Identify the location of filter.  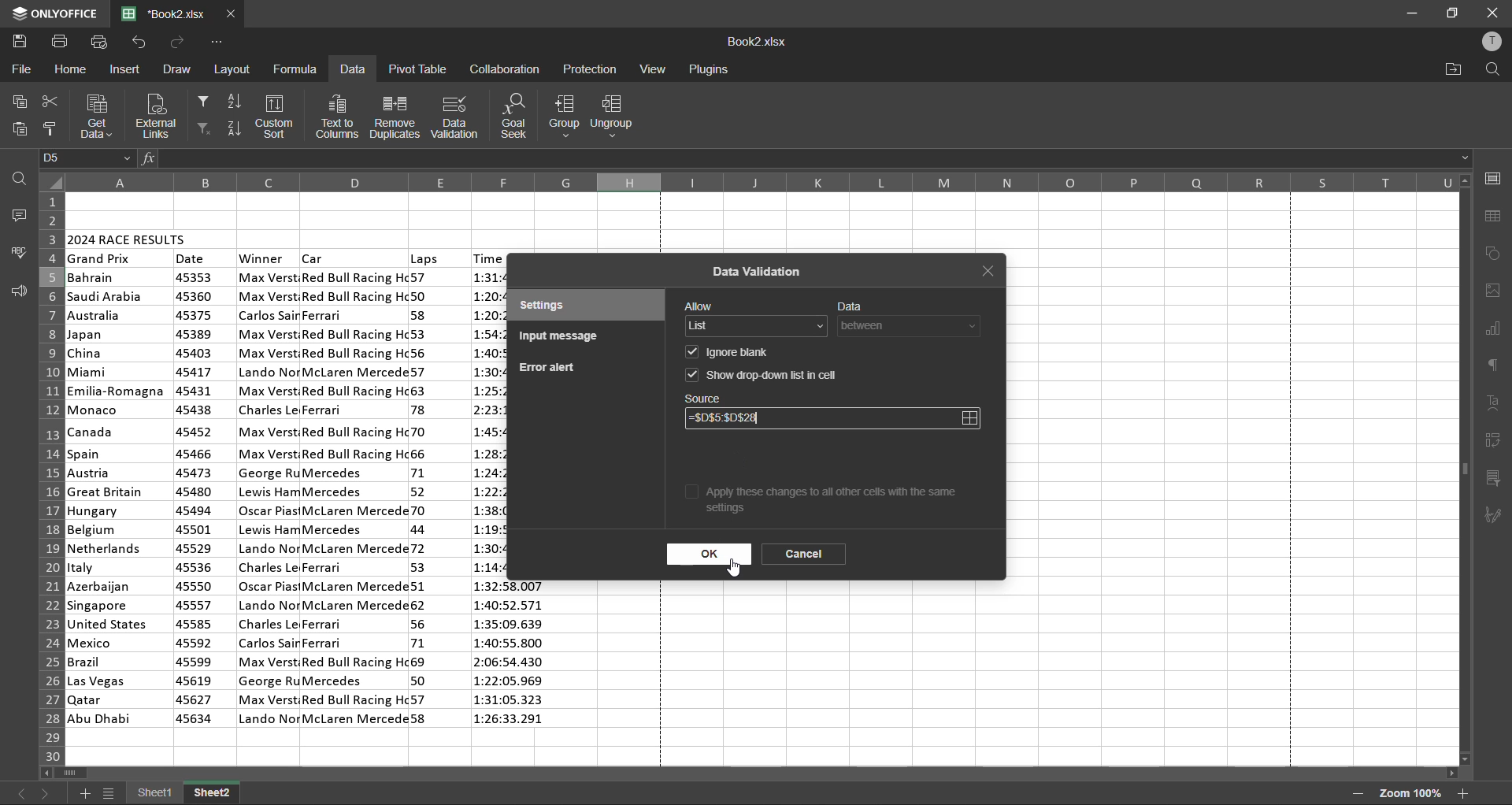
(202, 99).